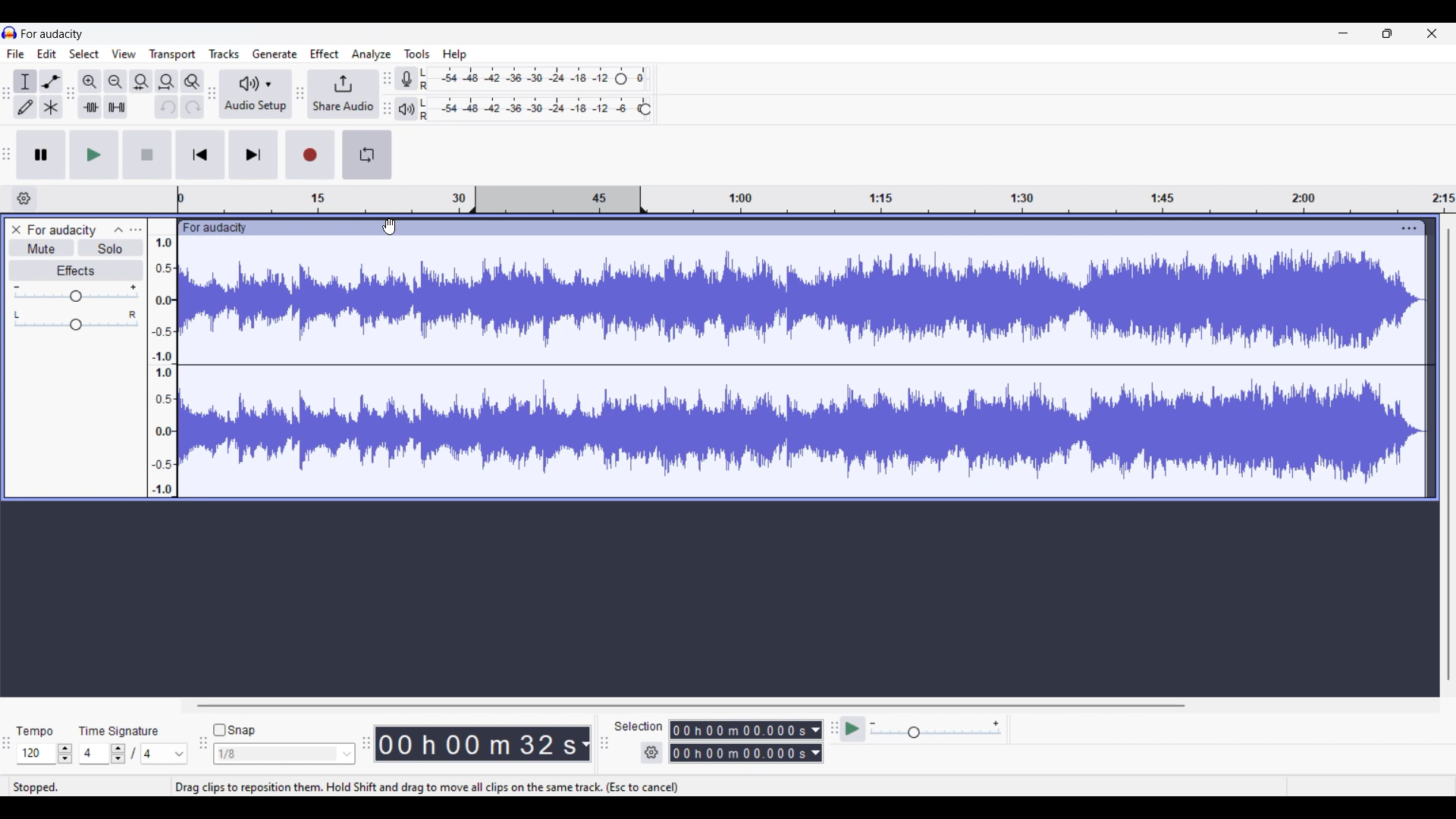 This screenshot has width=1456, height=819. I want to click on Duration measurement, so click(817, 730).